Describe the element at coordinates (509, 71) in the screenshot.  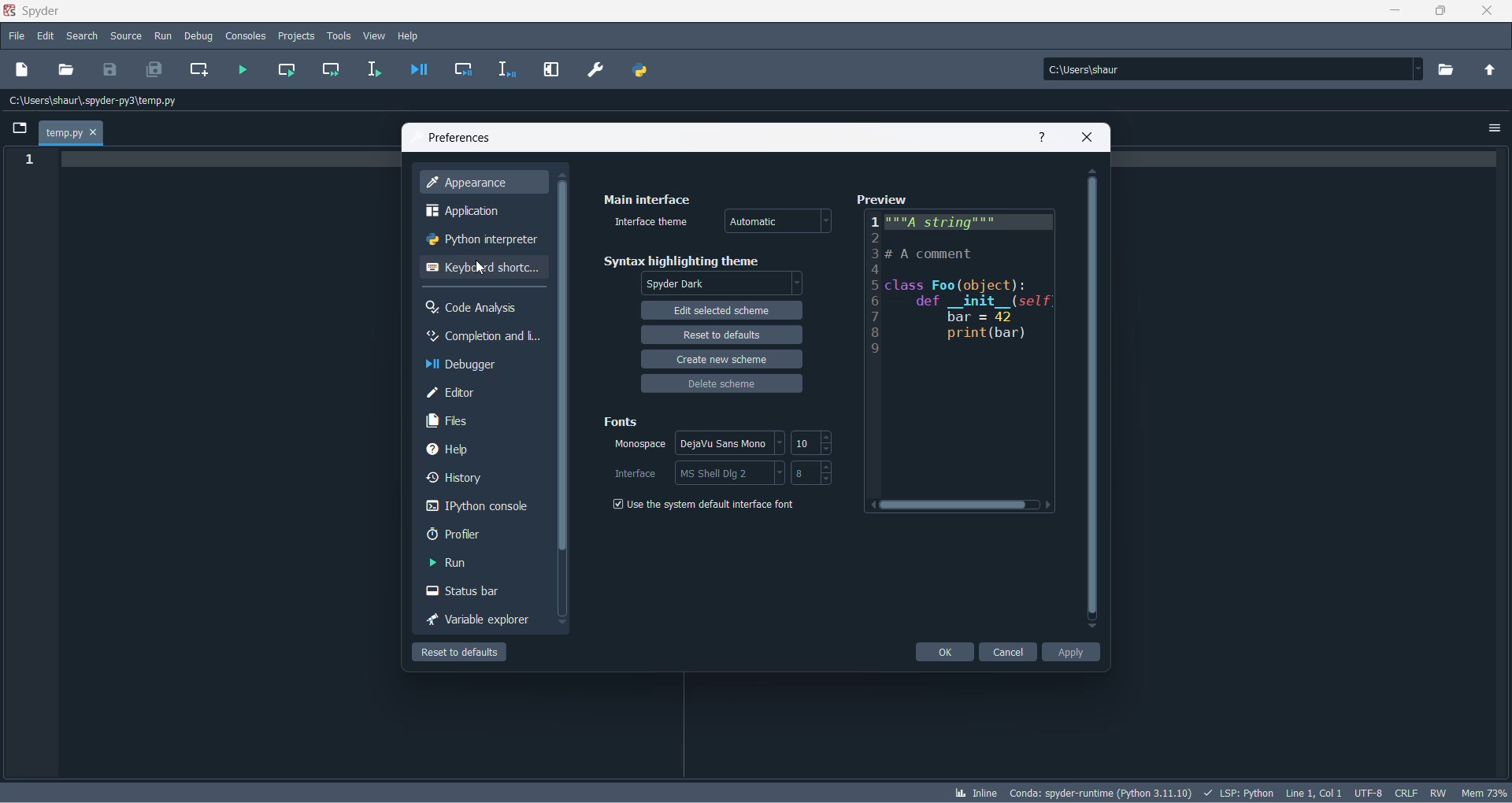
I see `debug selection` at that location.